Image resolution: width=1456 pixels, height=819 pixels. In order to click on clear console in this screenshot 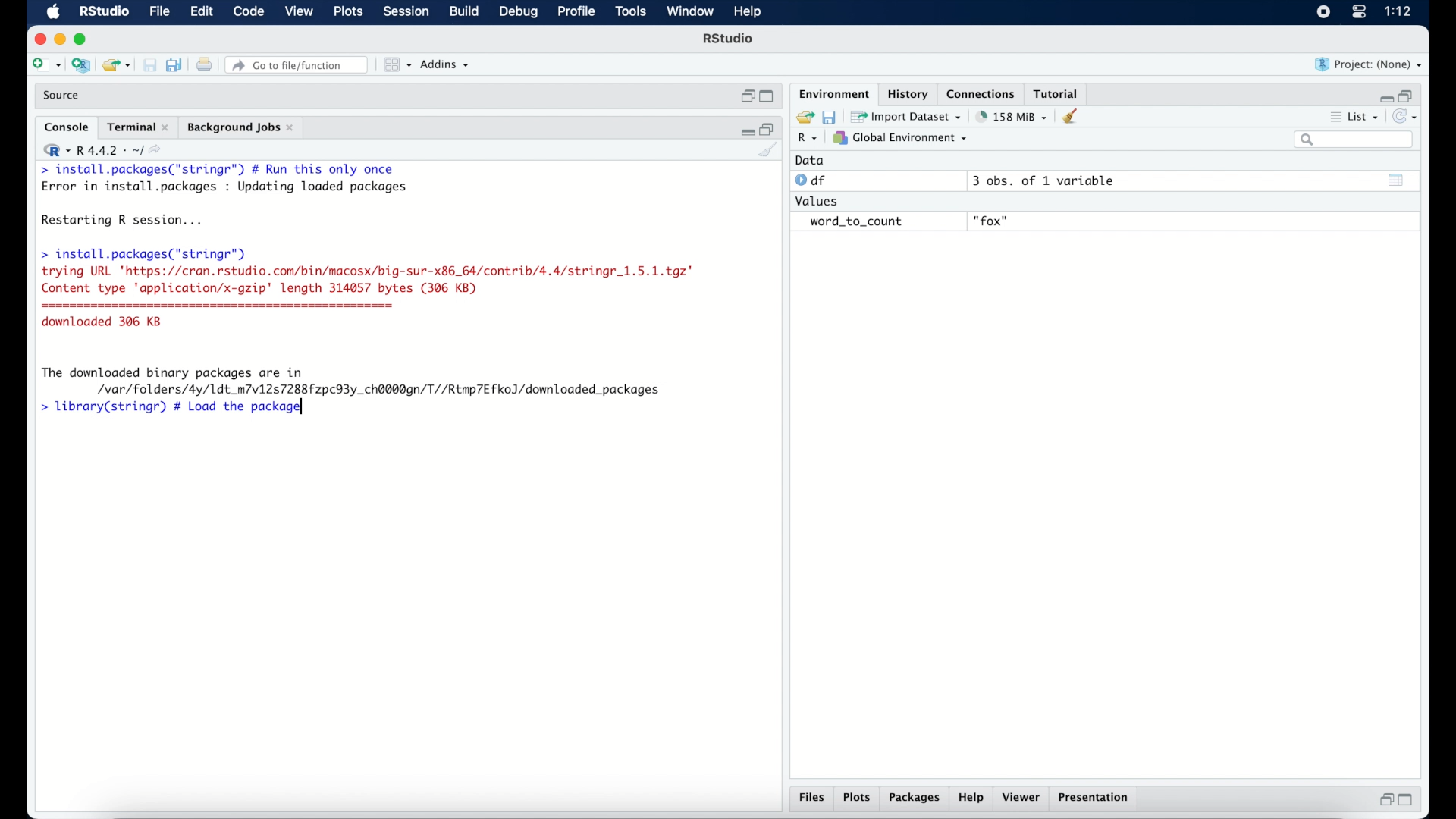, I will do `click(1074, 116)`.